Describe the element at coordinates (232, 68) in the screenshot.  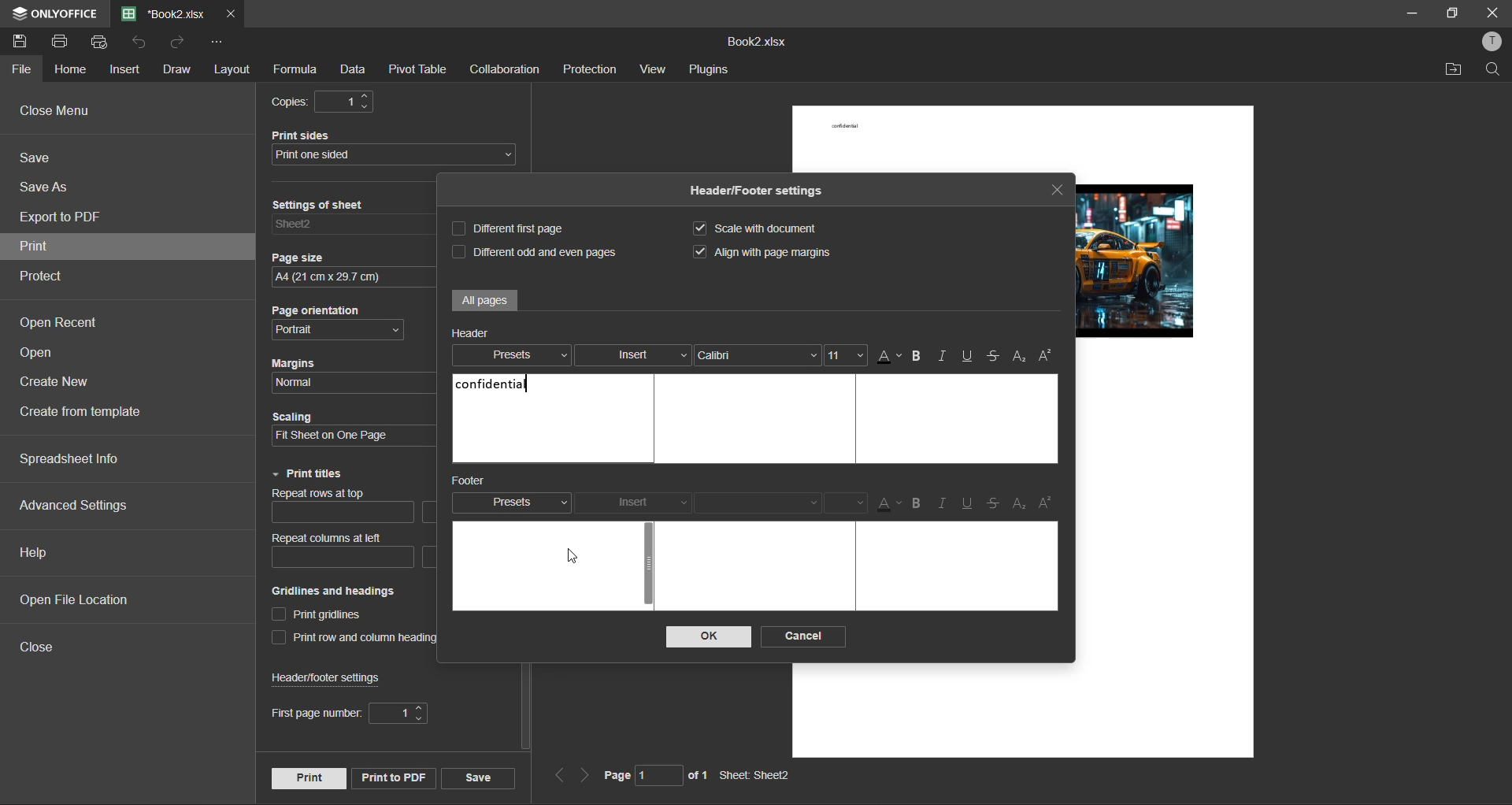
I see `layout` at that location.